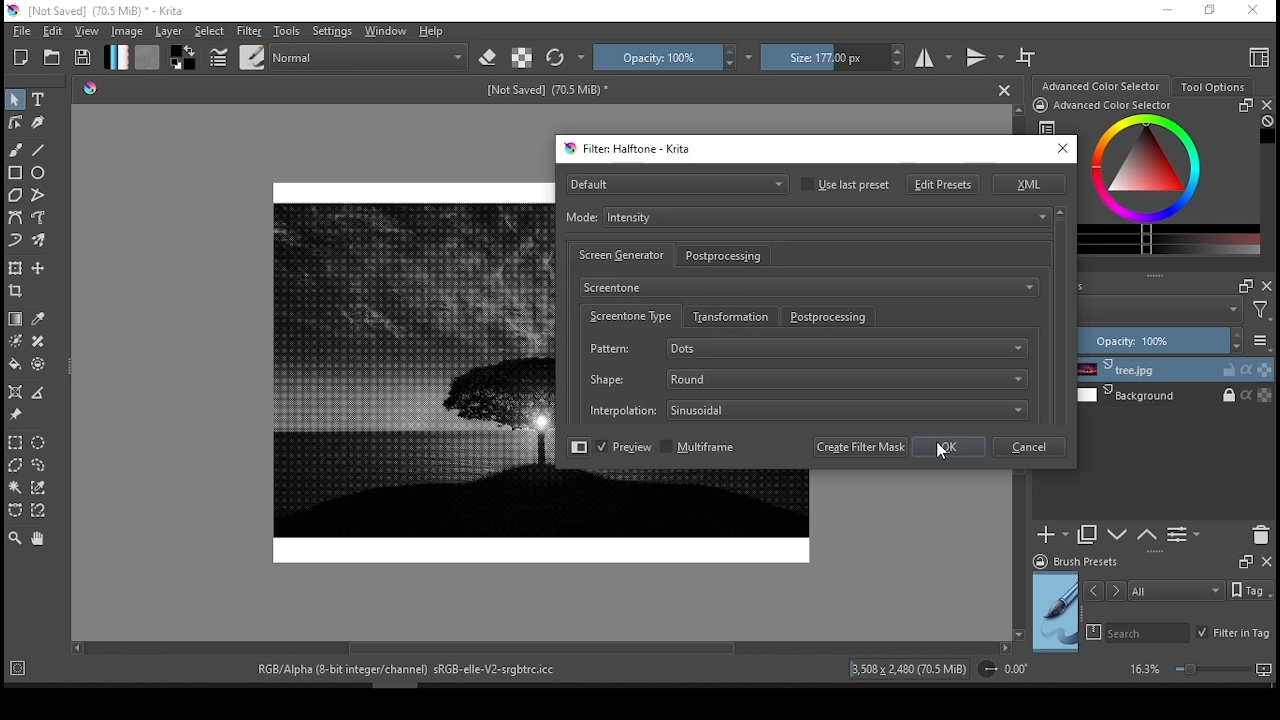  What do you see at coordinates (1031, 447) in the screenshot?
I see `cancel` at bounding box center [1031, 447].